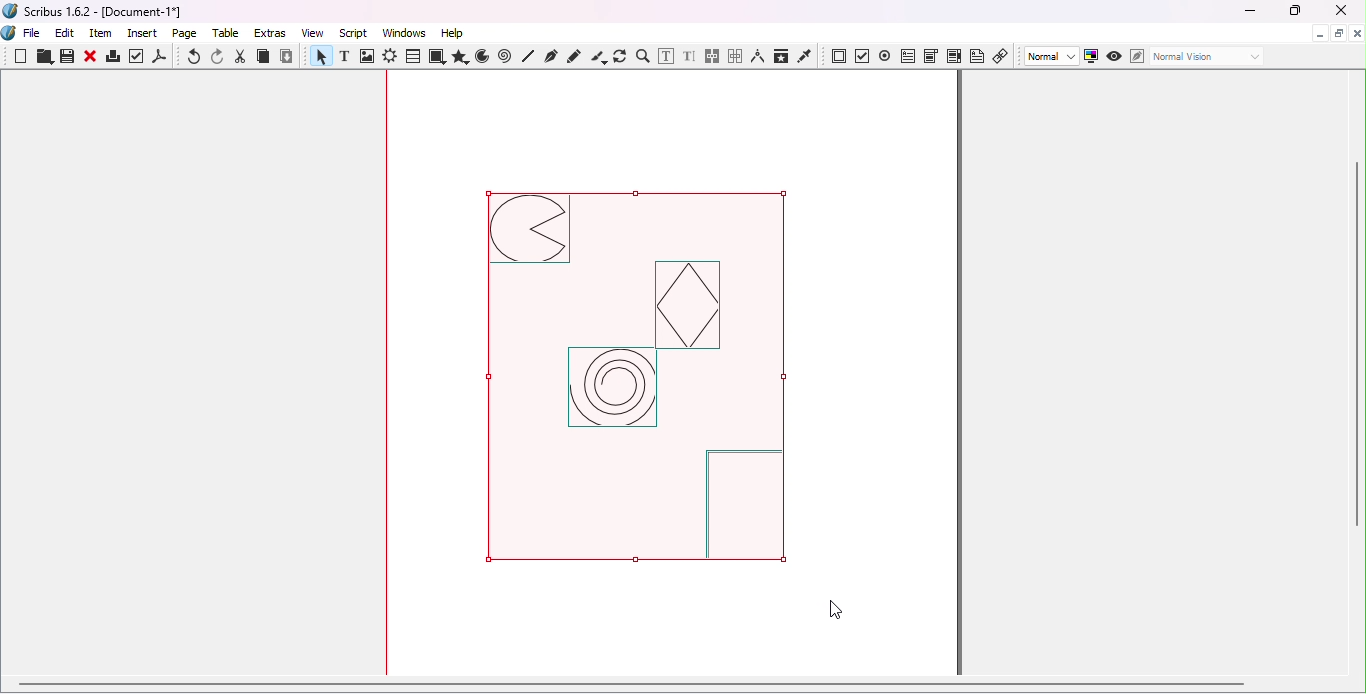 The image size is (1366, 694). Describe the element at coordinates (1358, 375) in the screenshot. I see `Vertical scroll bar` at that location.